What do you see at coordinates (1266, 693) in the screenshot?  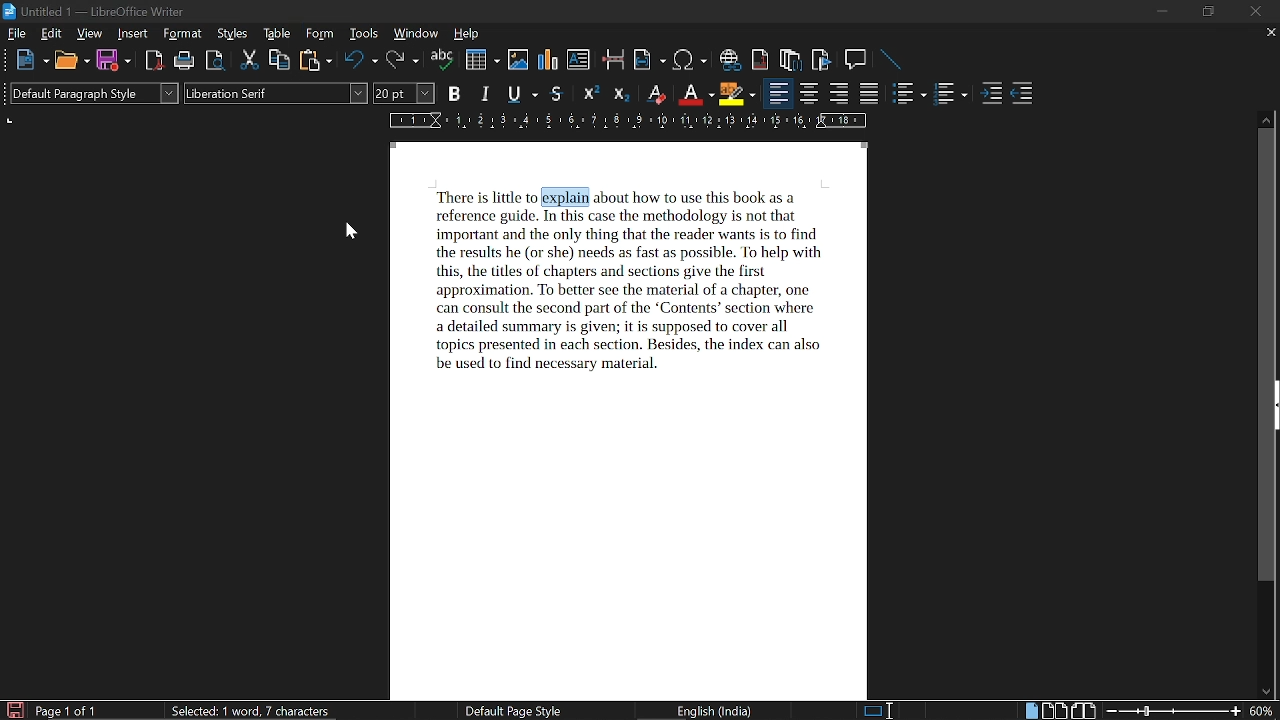 I see `move down` at bounding box center [1266, 693].